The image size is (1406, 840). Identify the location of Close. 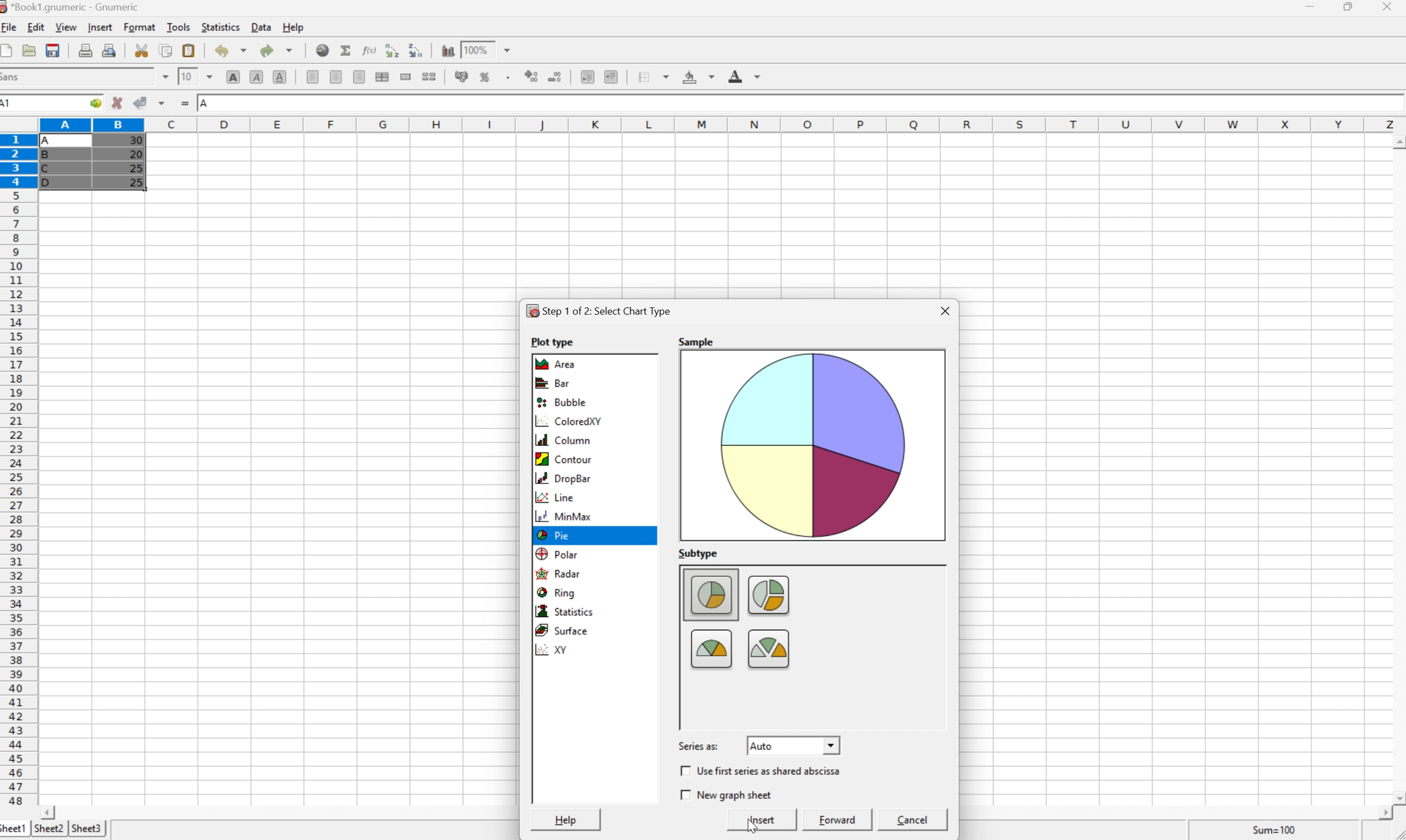
(1388, 7).